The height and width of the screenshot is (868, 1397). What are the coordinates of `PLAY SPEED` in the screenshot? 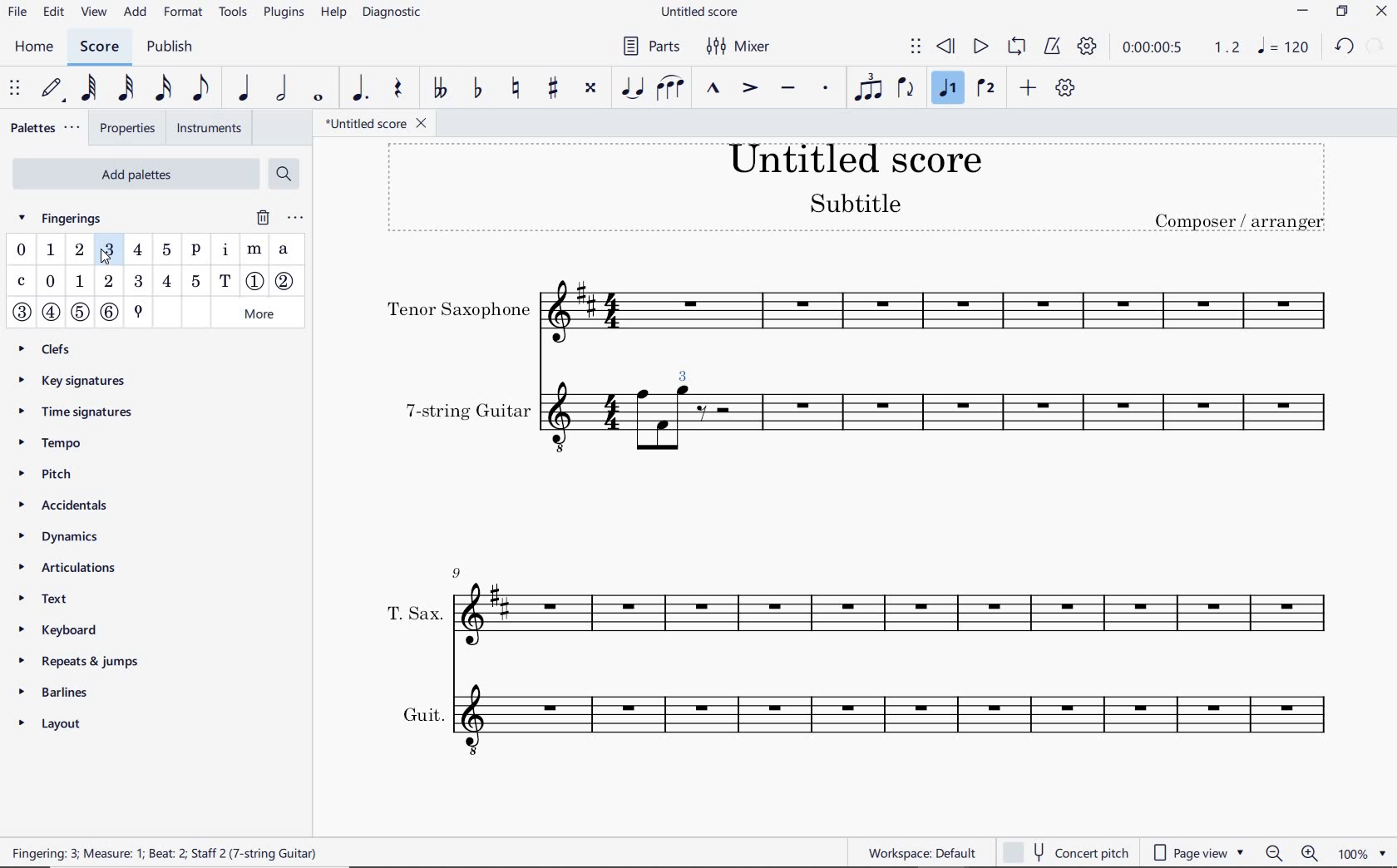 It's located at (1181, 47).